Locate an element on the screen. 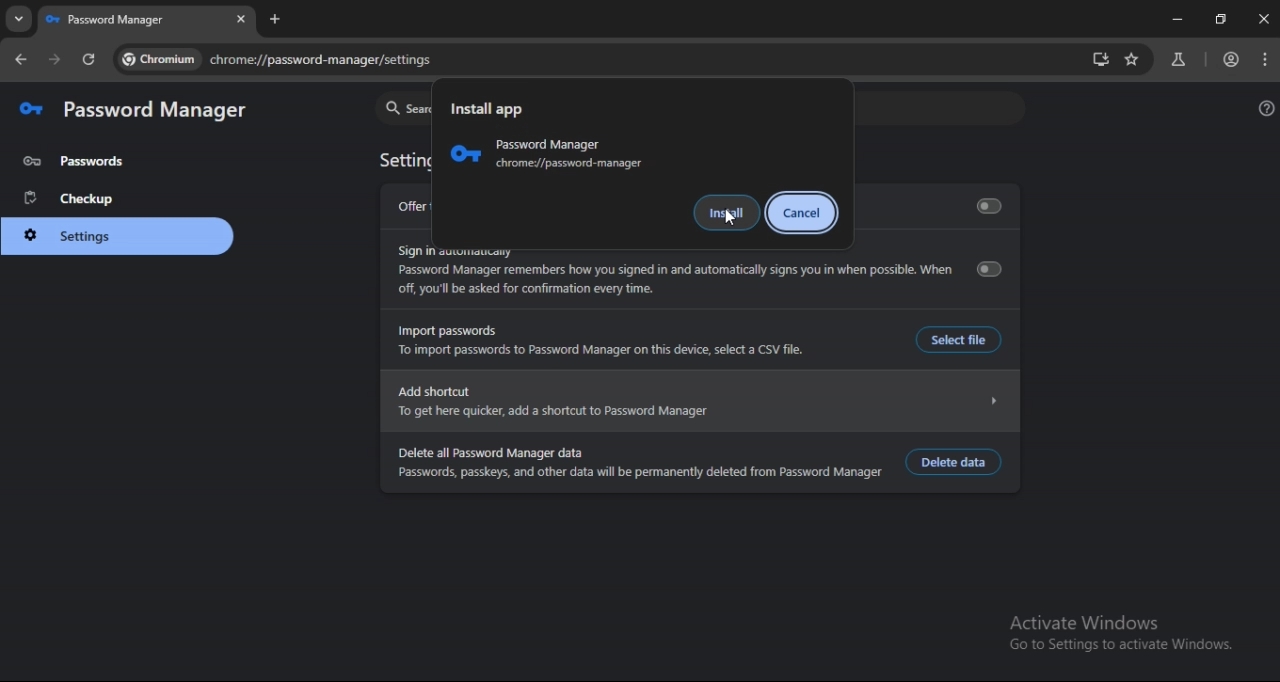 This screenshot has width=1280, height=682. go forward one page is located at coordinates (58, 60).